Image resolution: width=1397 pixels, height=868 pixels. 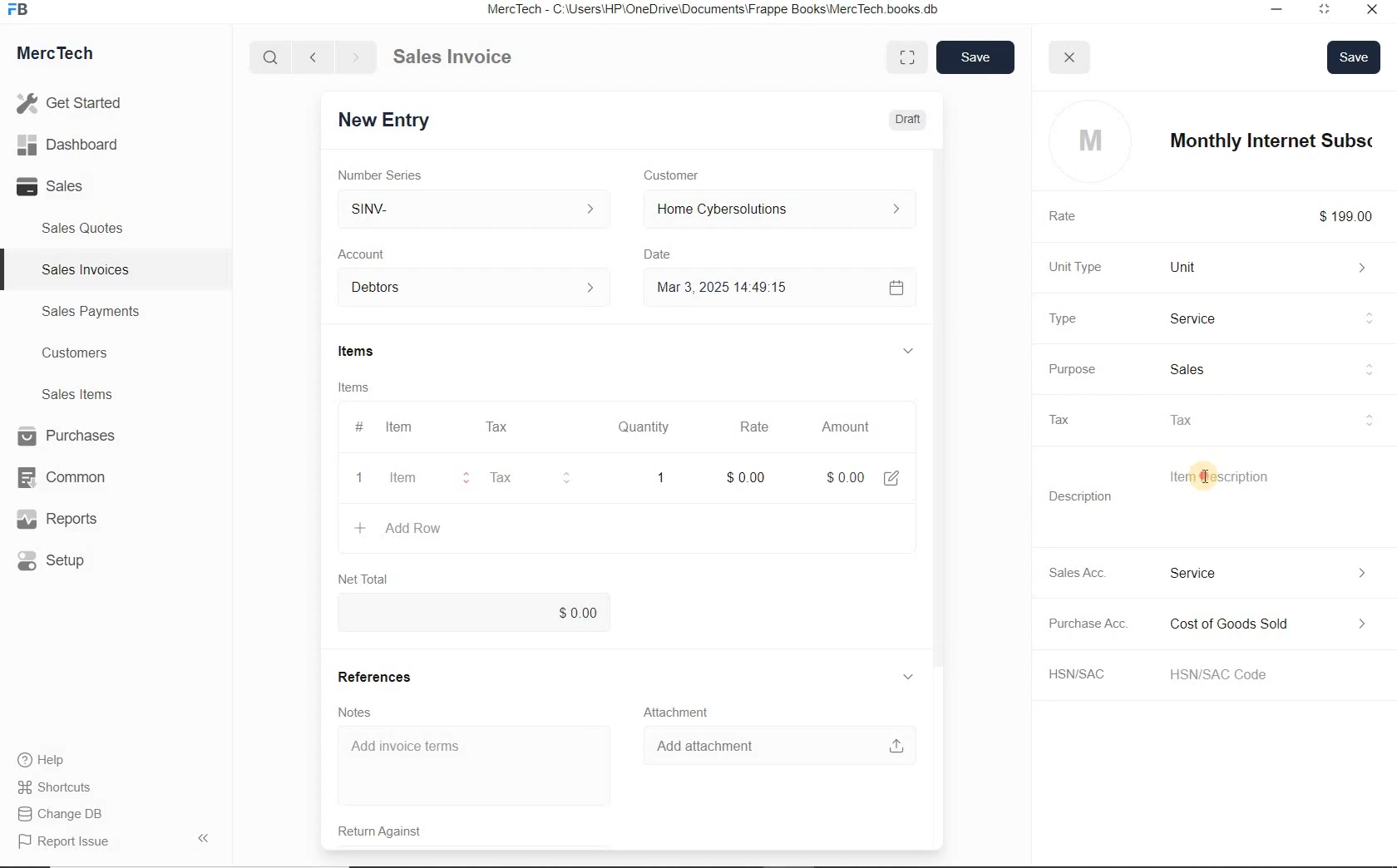 What do you see at coordinates (353, 528) in the screenshot?
I see `create` at bounding box center [353, 528].